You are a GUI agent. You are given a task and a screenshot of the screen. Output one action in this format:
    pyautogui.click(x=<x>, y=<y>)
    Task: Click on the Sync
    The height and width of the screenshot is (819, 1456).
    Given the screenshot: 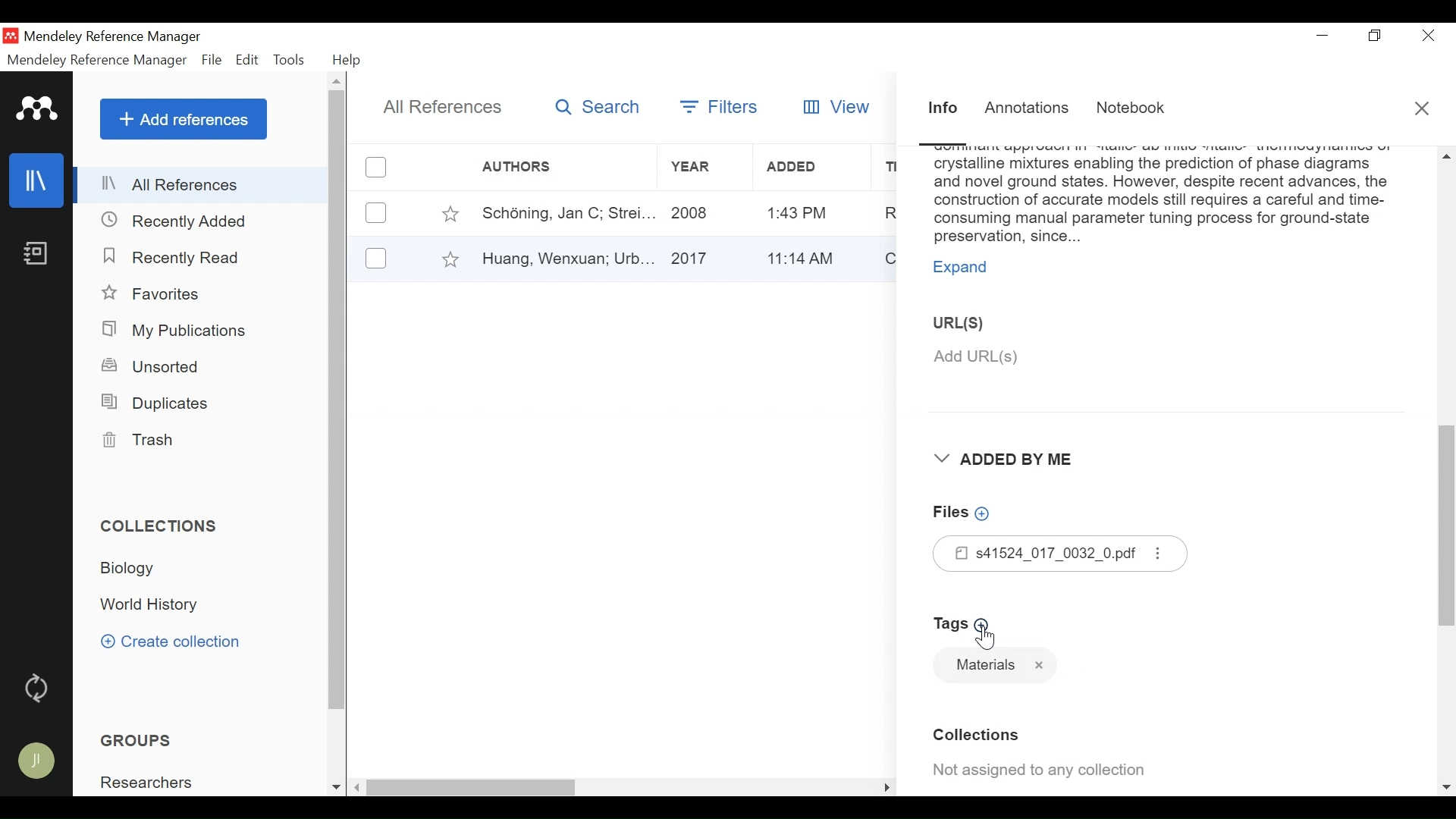 What is the action you would take?
    pyautogui.click(x=39, y=690)
    